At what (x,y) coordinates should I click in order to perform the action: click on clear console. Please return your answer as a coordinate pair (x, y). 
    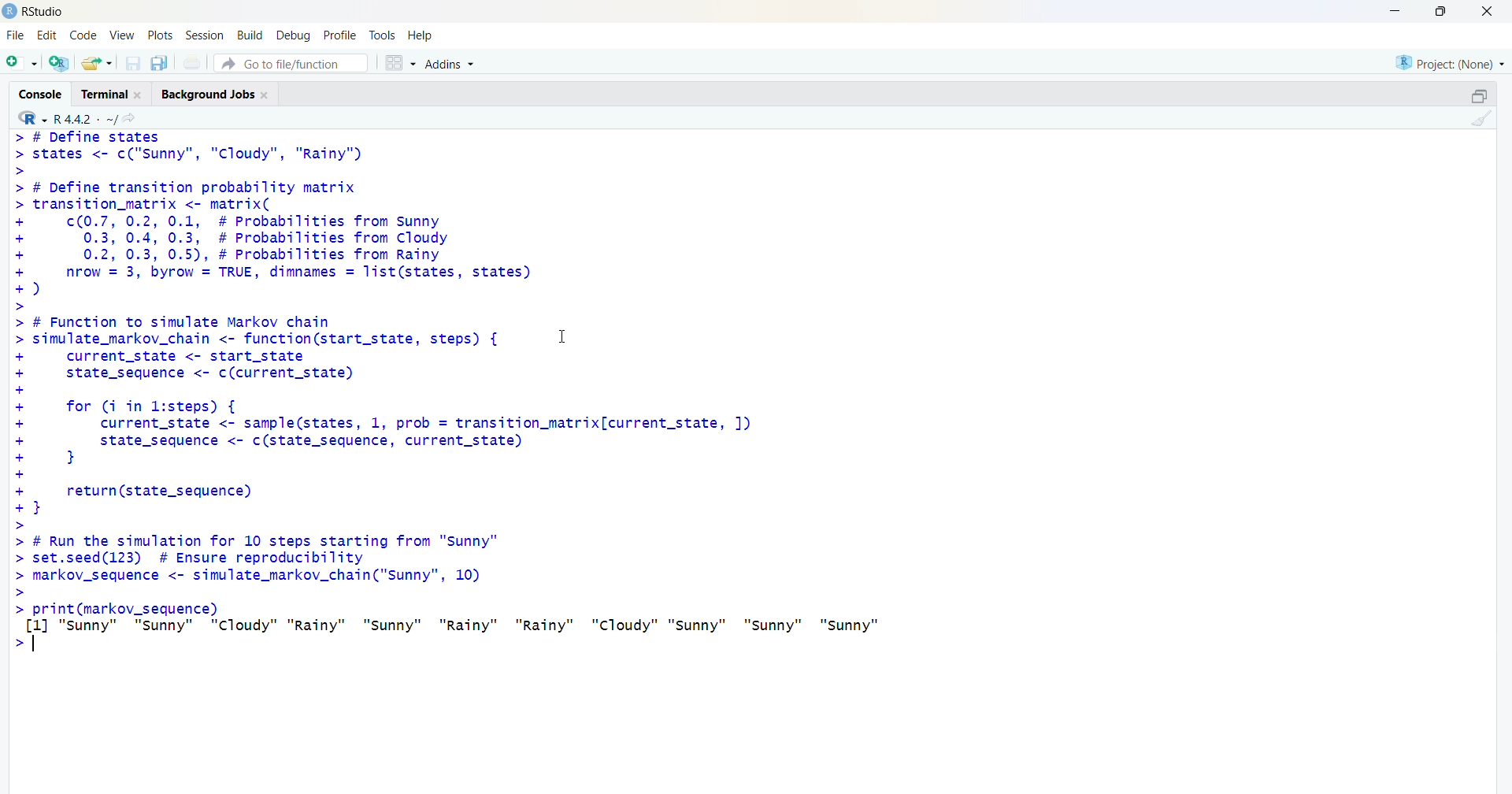
    Looking at the image, I should click on (1482, 119).